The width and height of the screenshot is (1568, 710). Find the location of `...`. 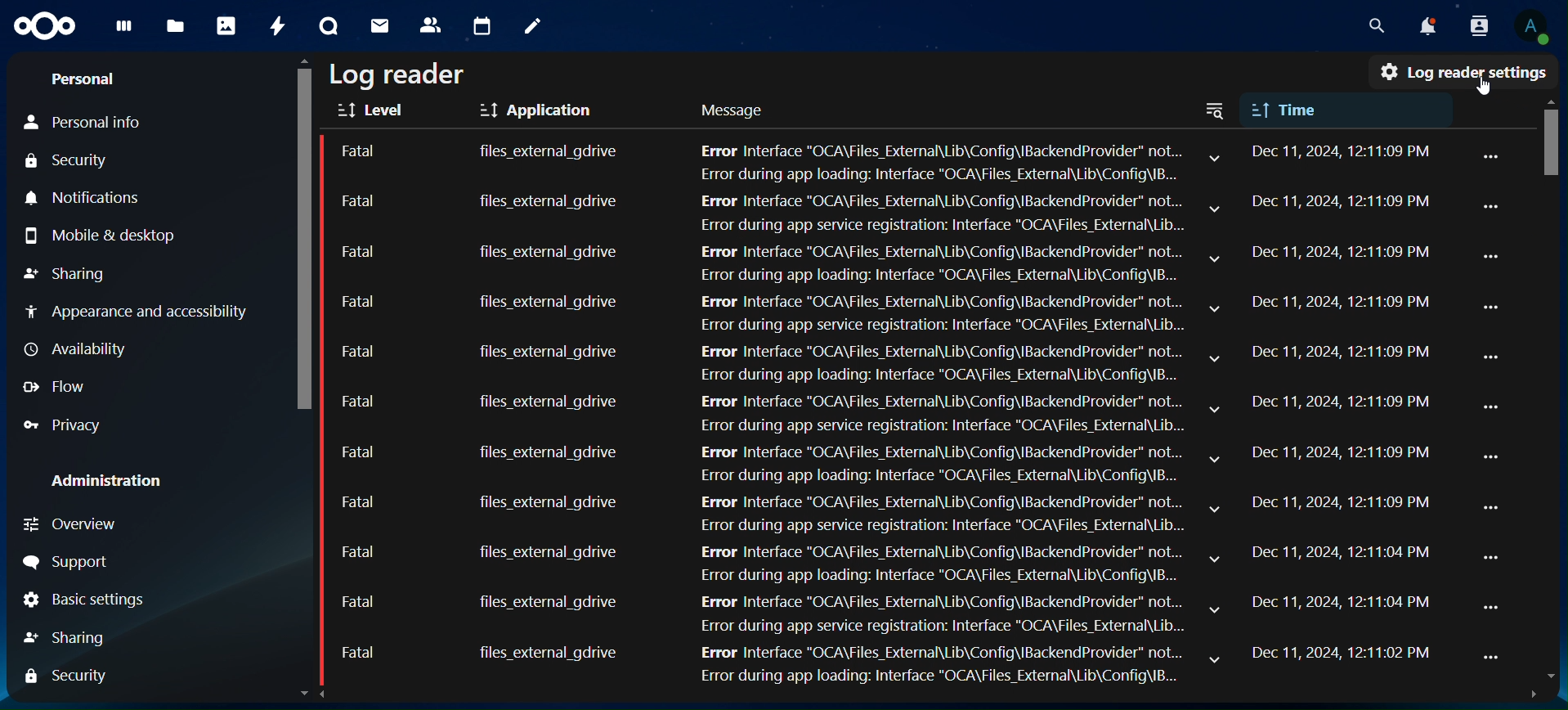

... is located at coordinates (1494, 359).